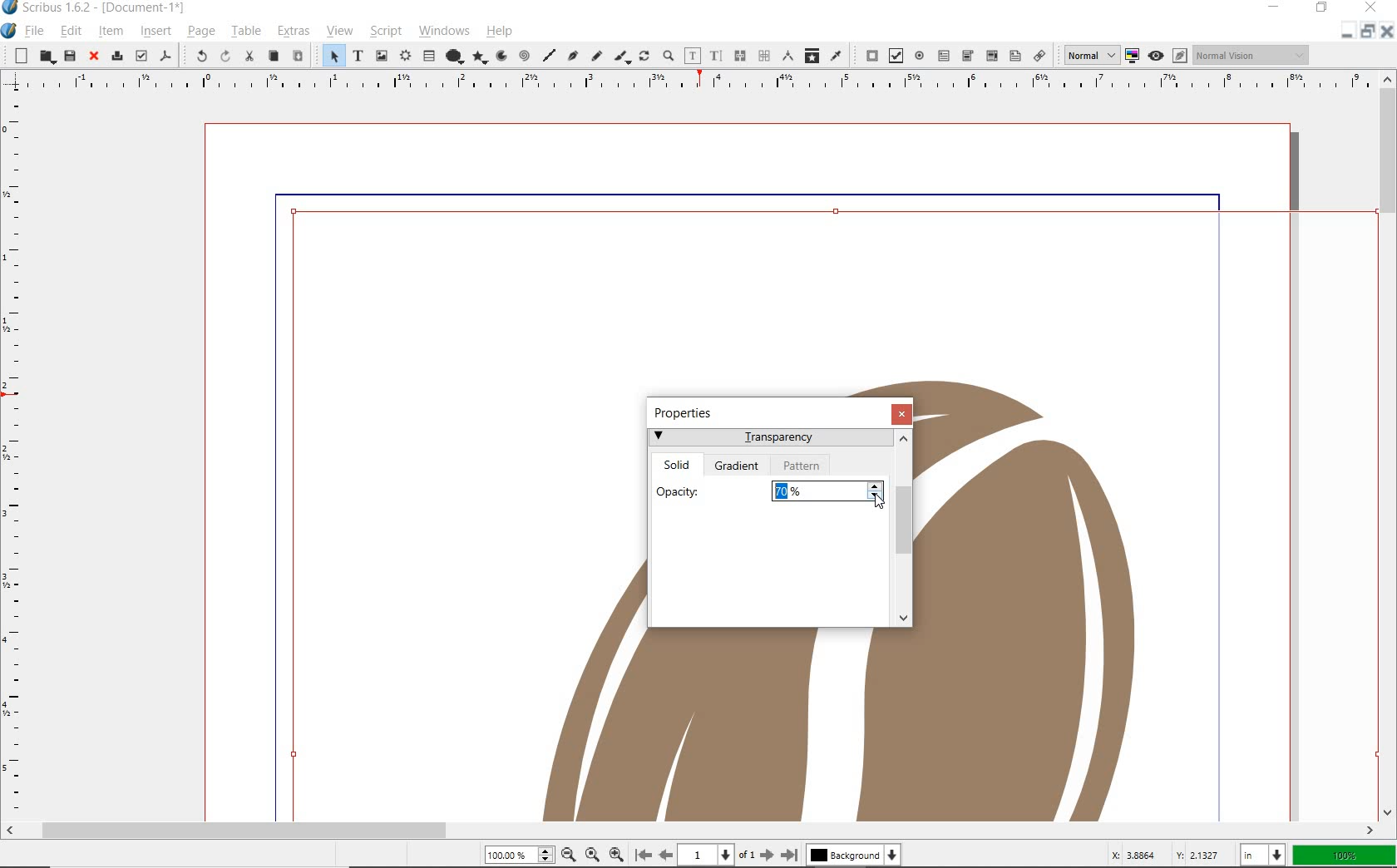 This screenshot has height=868, width=1397. I want to click on Properties, so click(688, 412).